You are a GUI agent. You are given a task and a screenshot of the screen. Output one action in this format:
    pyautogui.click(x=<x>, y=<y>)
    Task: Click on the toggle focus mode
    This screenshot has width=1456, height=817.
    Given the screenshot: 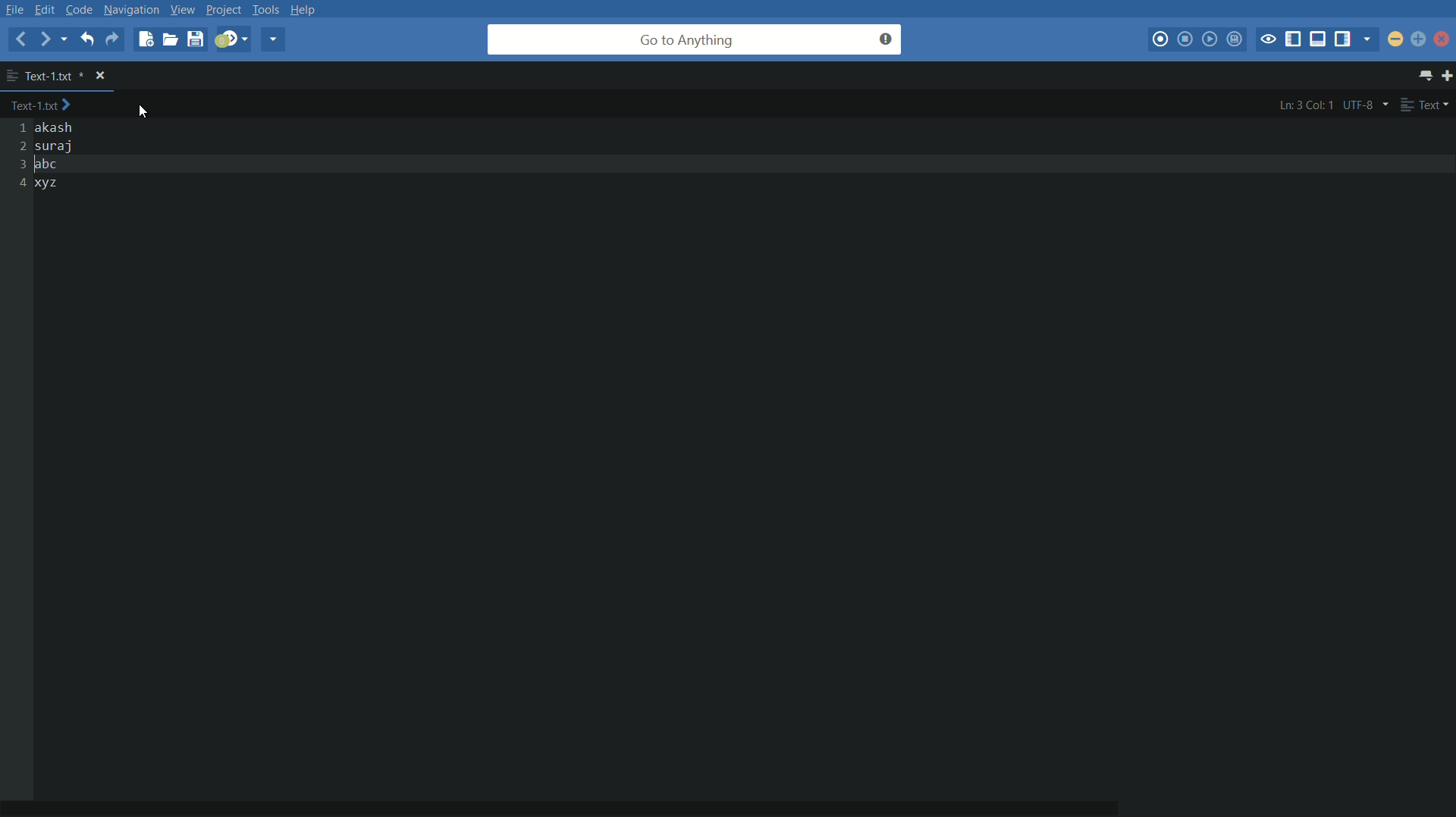 What is the action you would take?
    pyautogui.click(x=1269, y=39)
    